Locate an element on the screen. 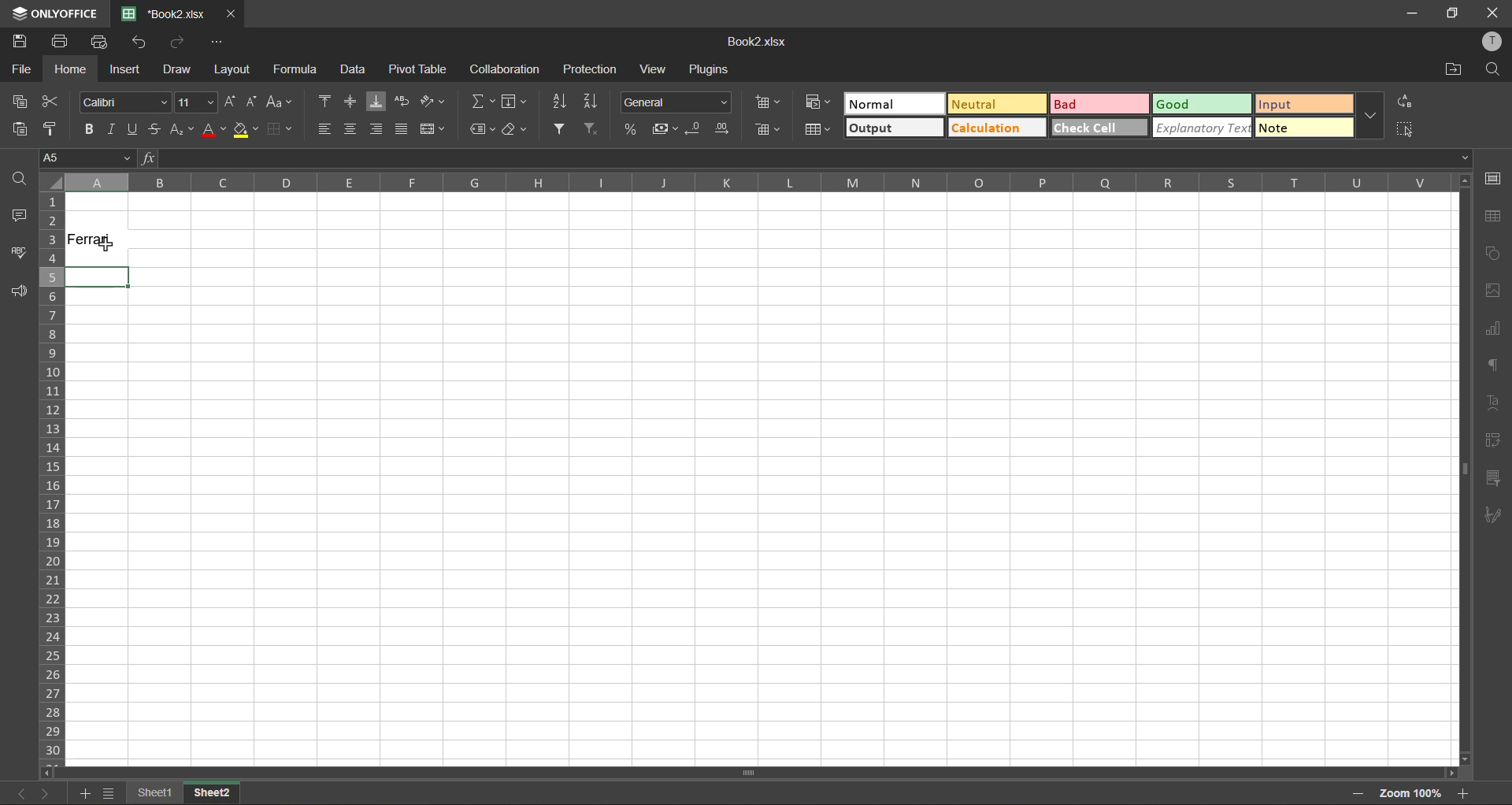 The width and height of the screenshot is (1512, 805). increment size is located at coordinates (229, 101).